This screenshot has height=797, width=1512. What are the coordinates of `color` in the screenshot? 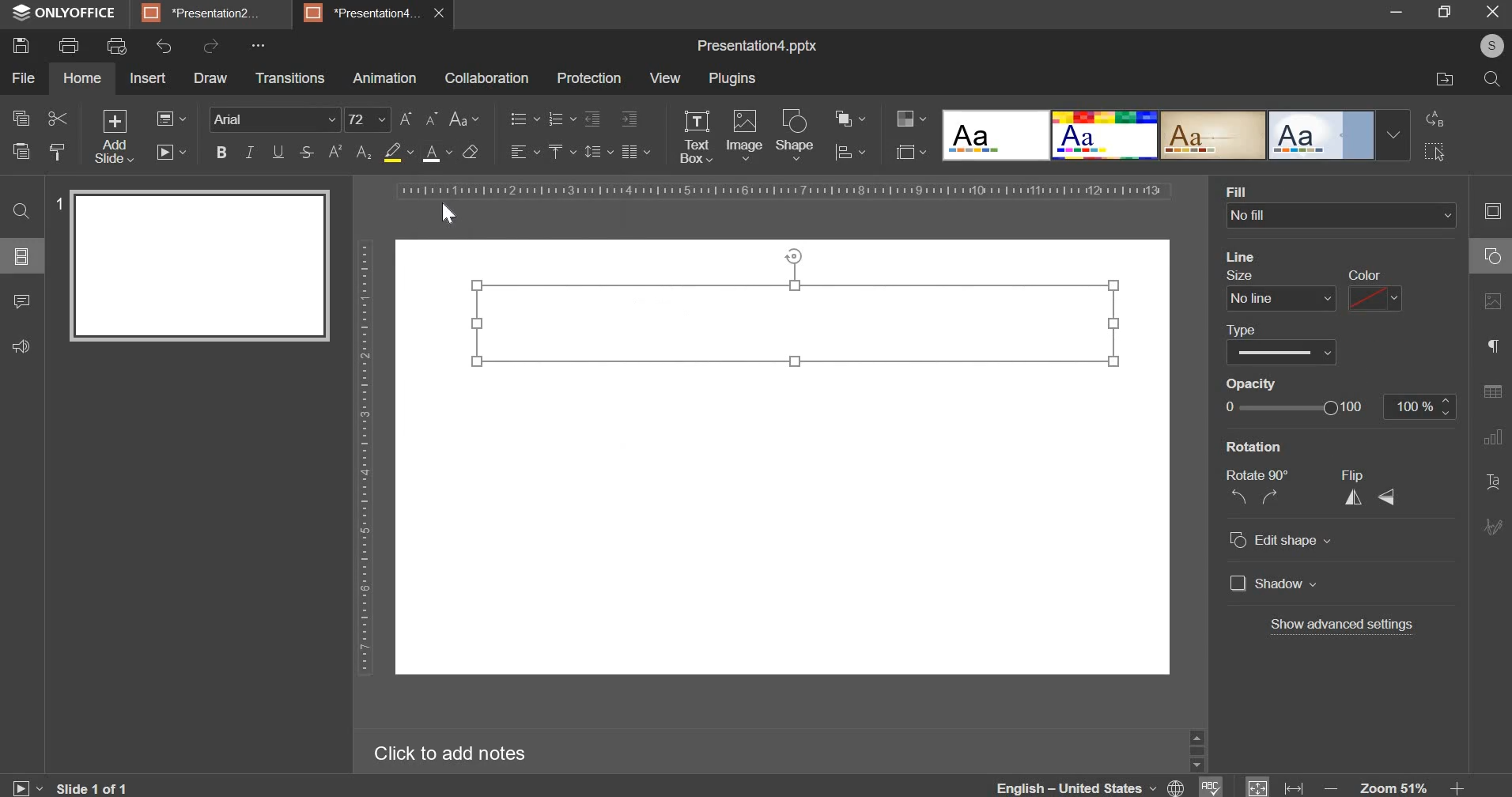 It's located at (1375, 292).